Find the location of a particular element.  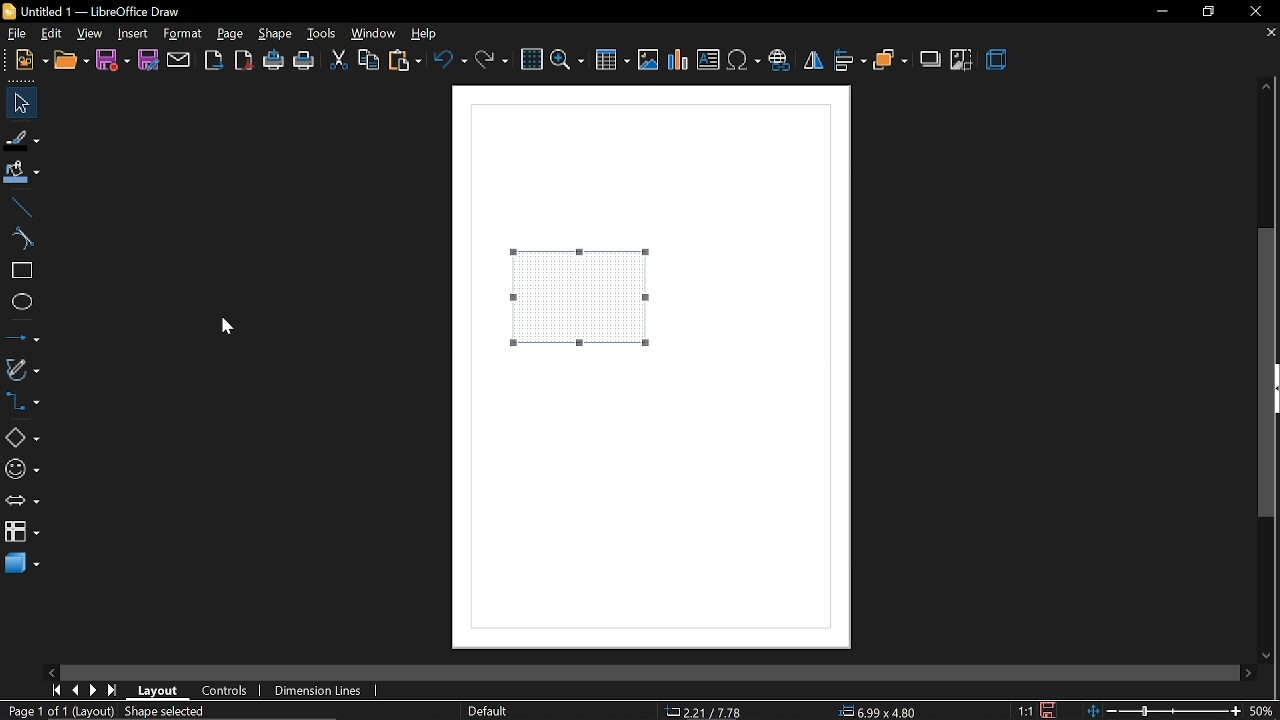

insert text is located at coordinates (708, 60).